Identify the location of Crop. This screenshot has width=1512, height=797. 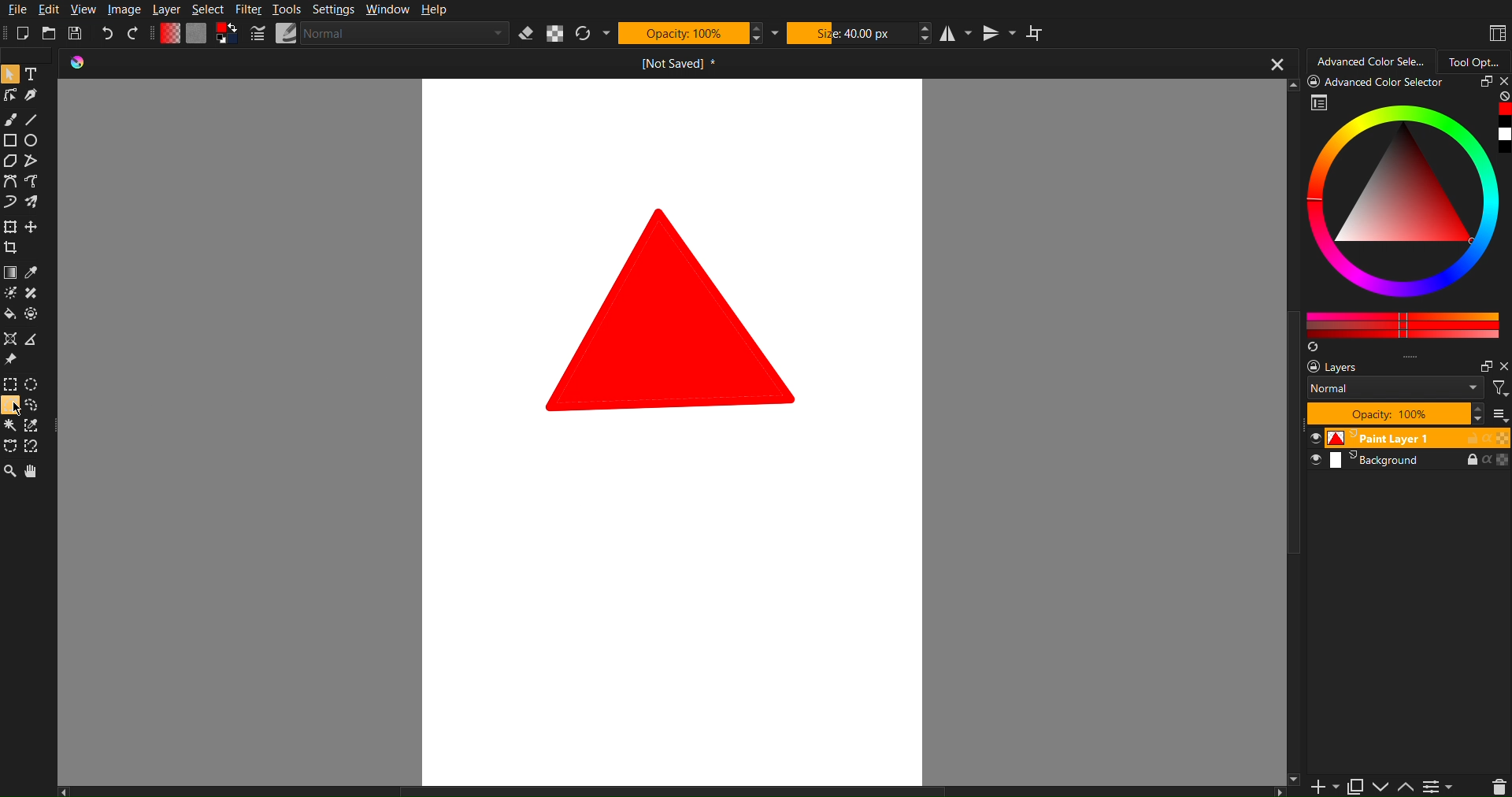
(13, 250).